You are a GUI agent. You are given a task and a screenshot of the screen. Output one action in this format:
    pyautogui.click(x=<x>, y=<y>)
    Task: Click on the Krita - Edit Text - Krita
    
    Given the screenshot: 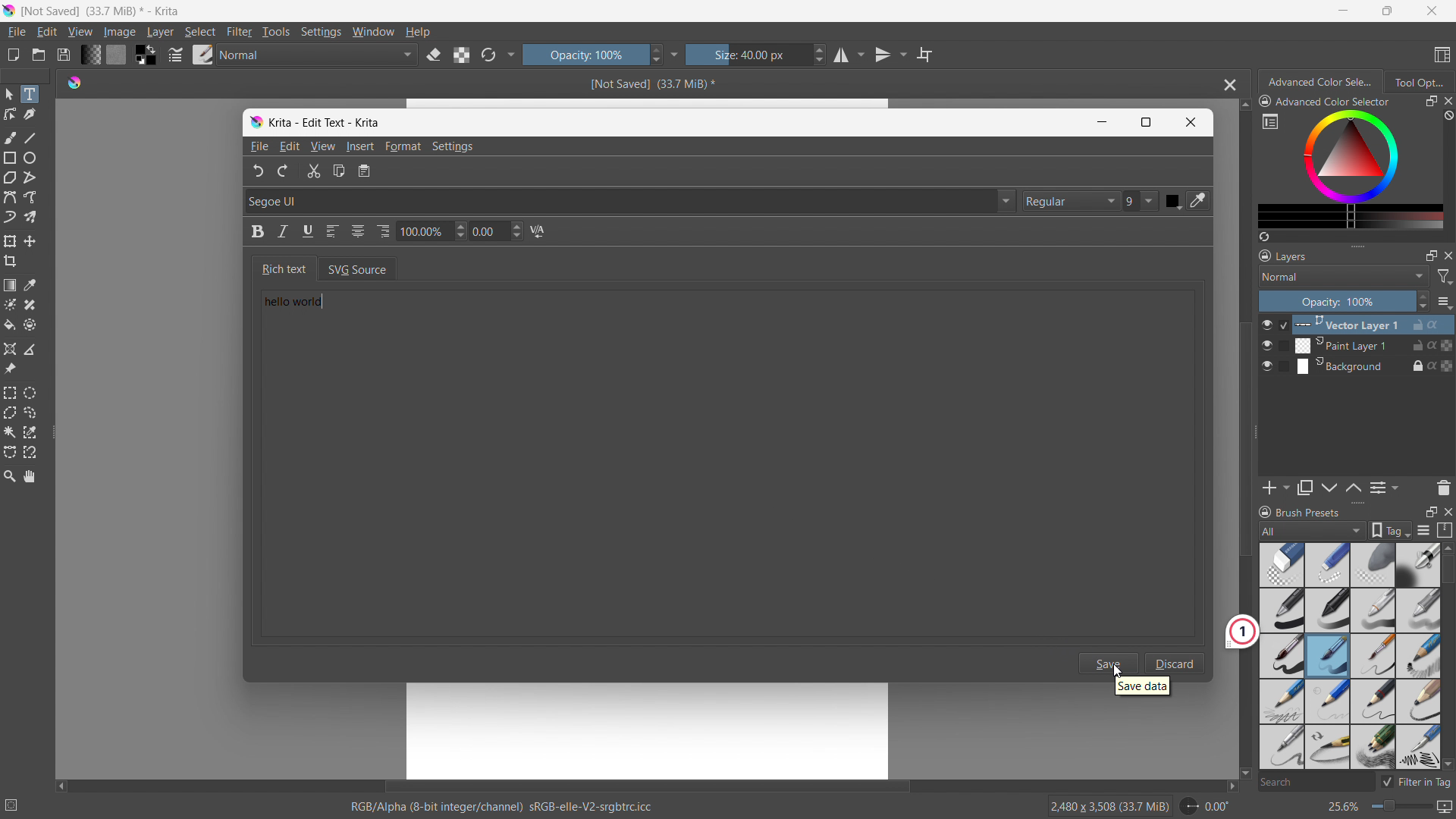 What is the action you would take?
    pyautogui.click(x=326, y=121)
    